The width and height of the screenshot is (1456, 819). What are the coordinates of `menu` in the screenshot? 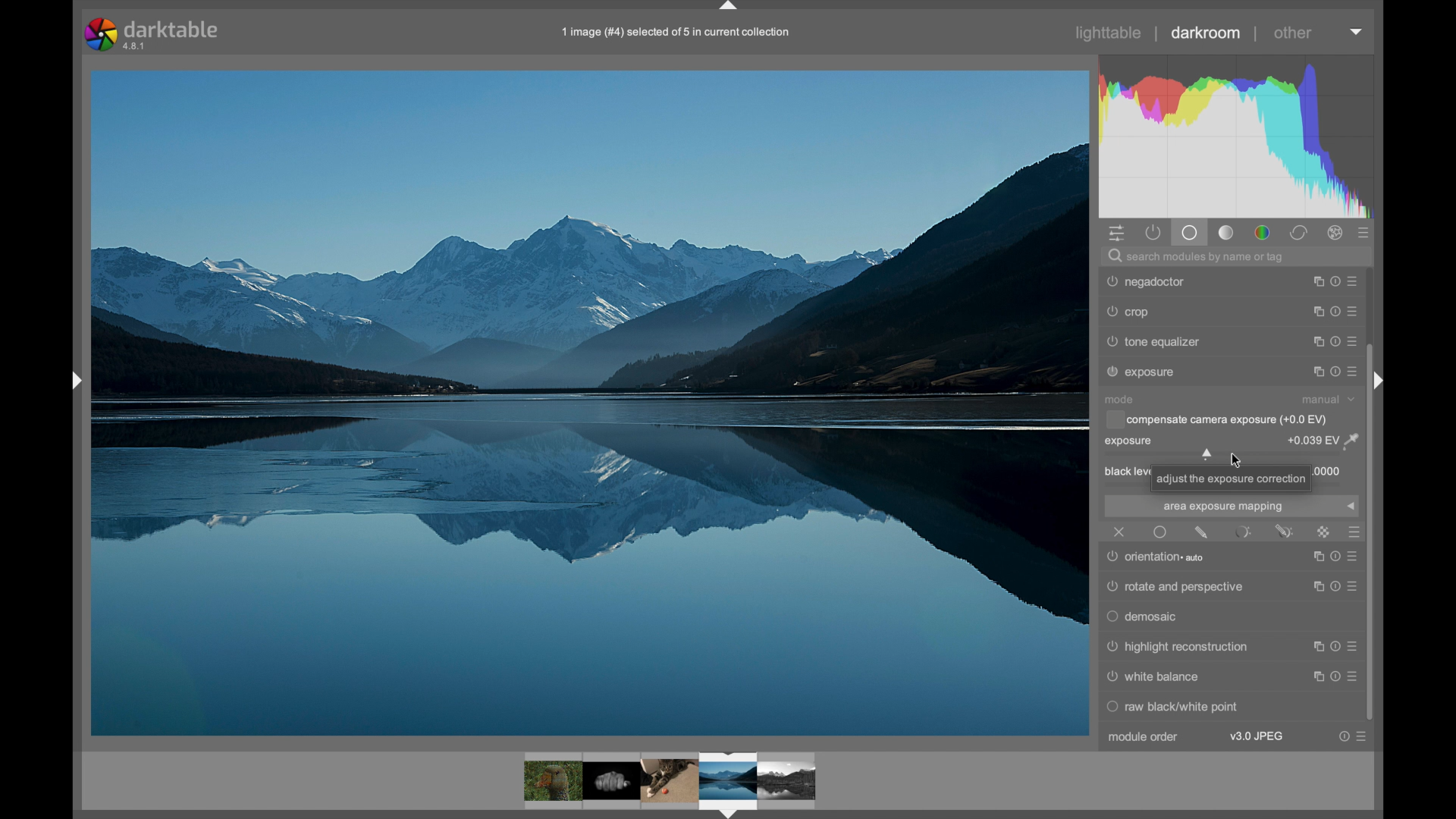 It's located at (1333, 678).